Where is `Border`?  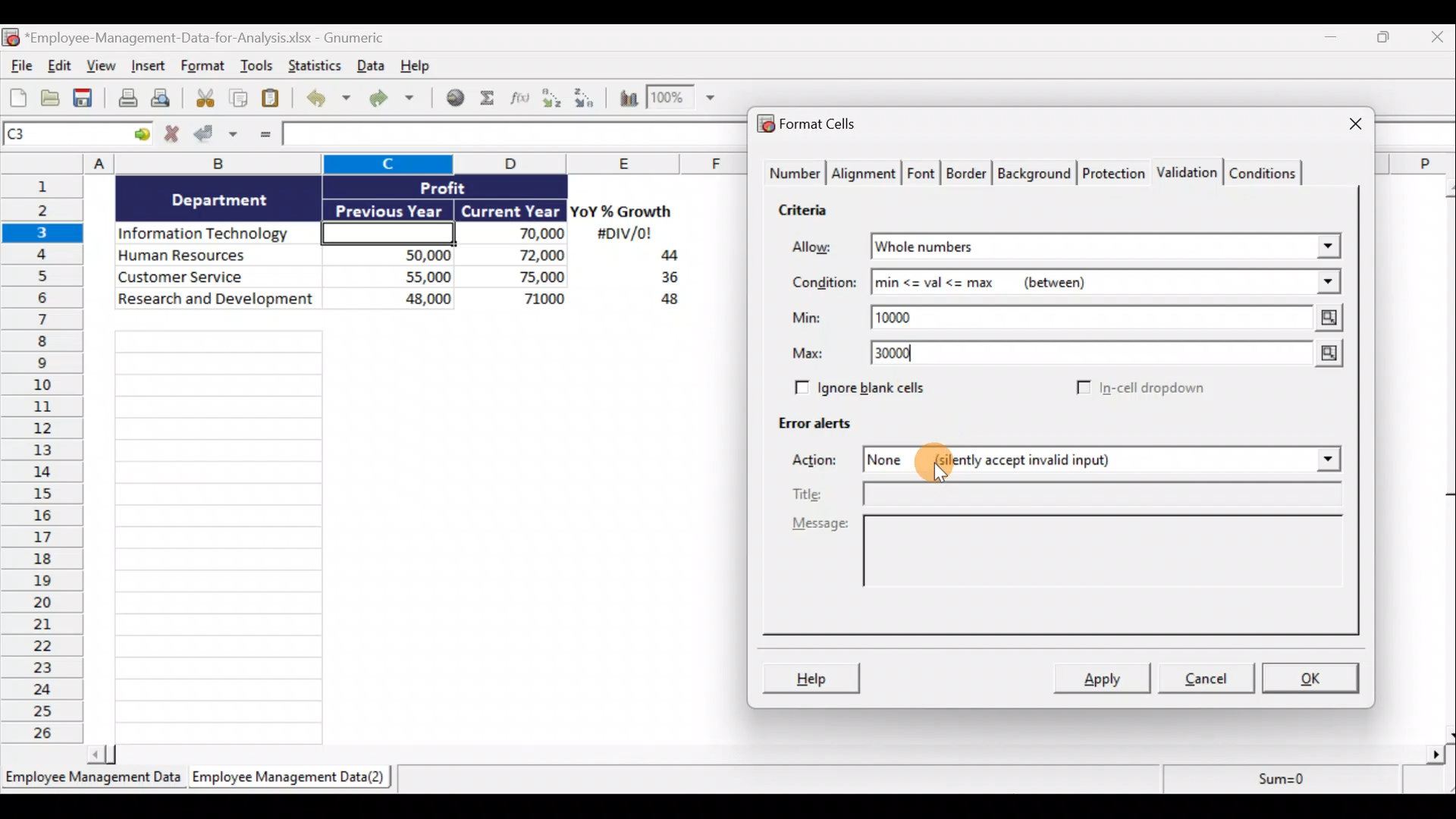 Border is located at coordinates (968, 174).